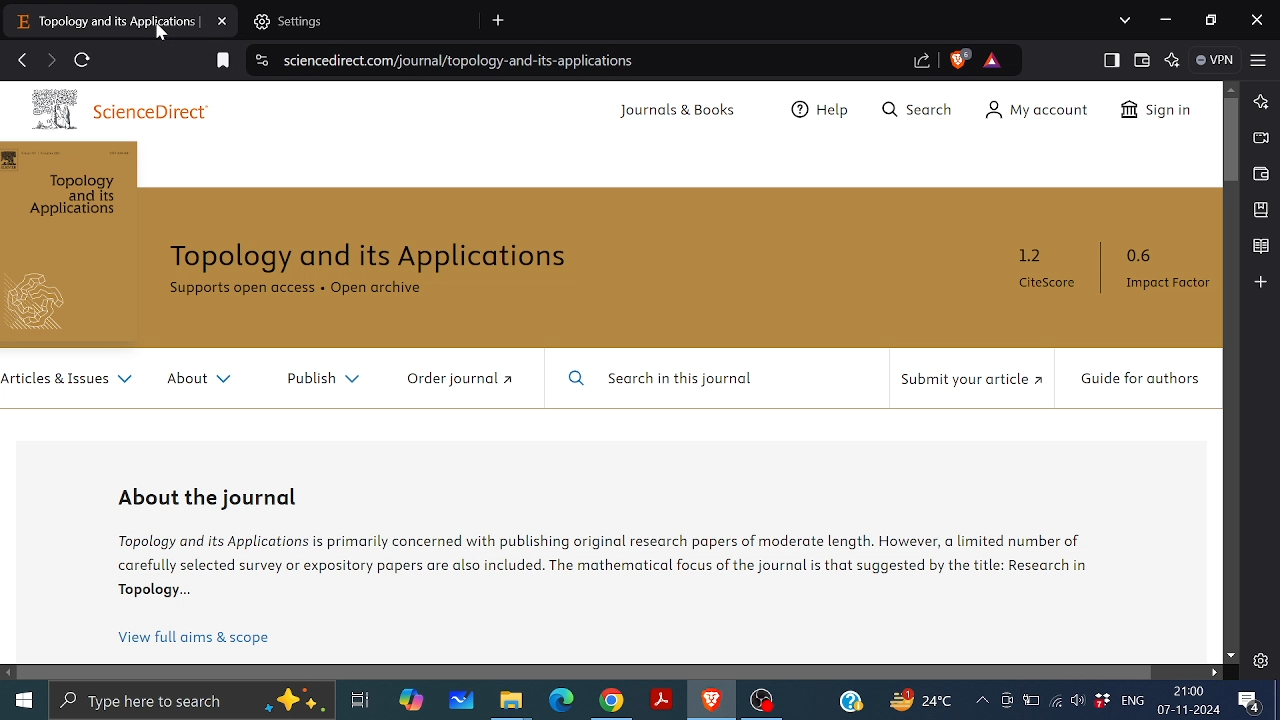  What do you see at coordinates (463, 701) in the screenshot?
I see `Whiteboard` at bounding box center [463, 701].